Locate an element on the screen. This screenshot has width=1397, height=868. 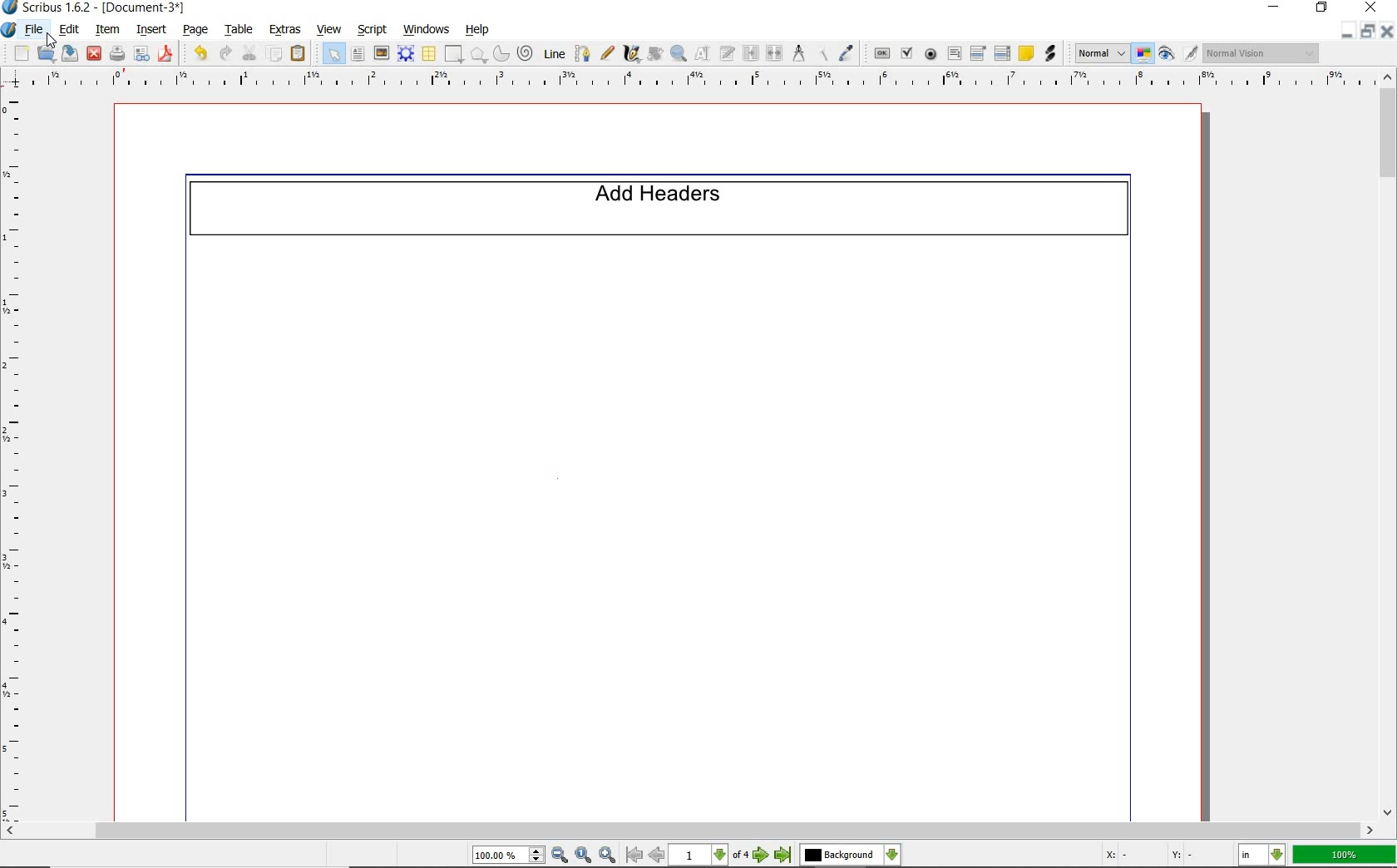
paste is located at coordinates (301, 55).